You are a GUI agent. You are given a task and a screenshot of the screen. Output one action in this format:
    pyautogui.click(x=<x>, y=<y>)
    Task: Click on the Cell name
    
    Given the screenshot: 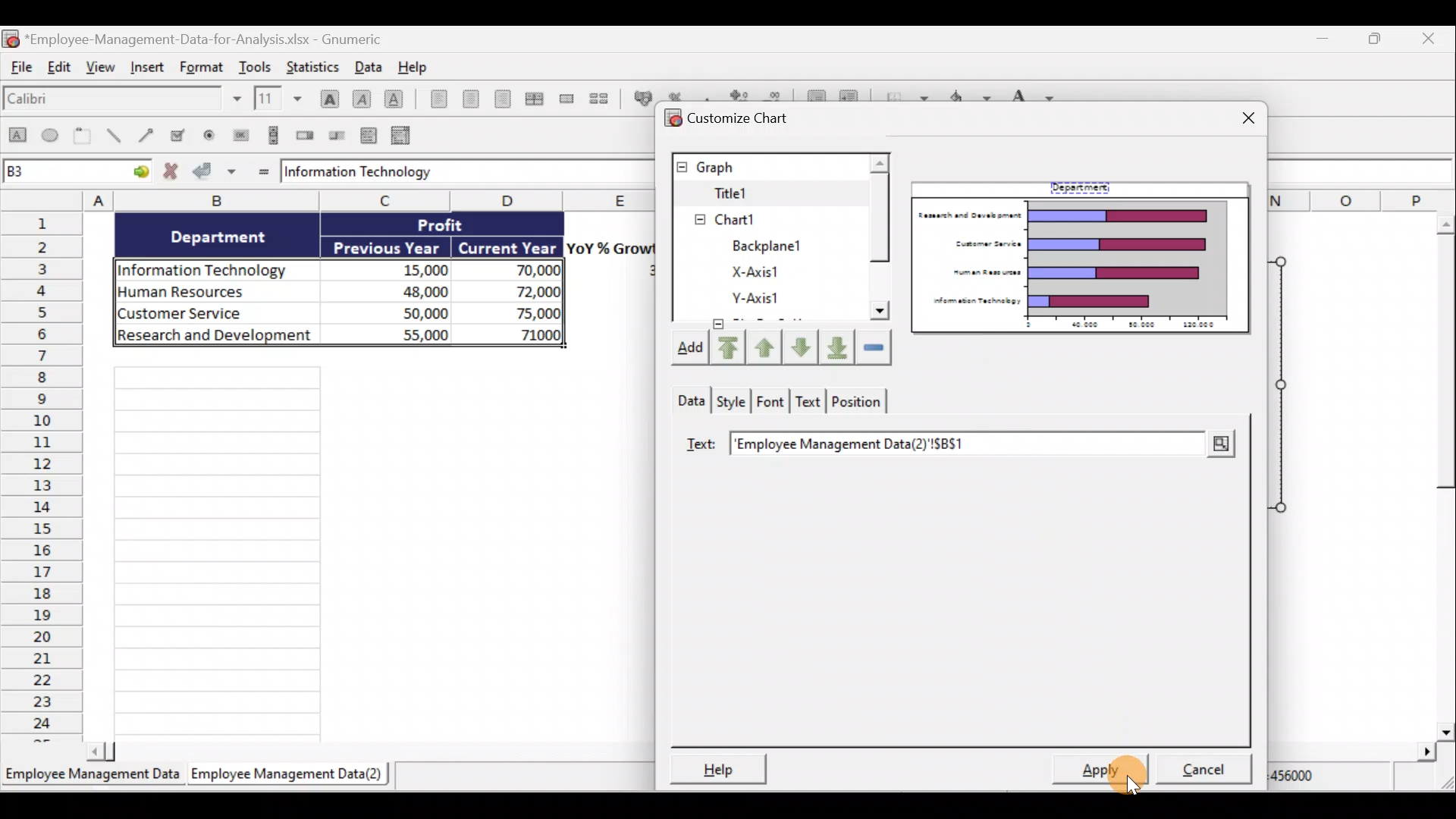 What is the action you would take?
    pyautogui.click(x=77, y=168)
    